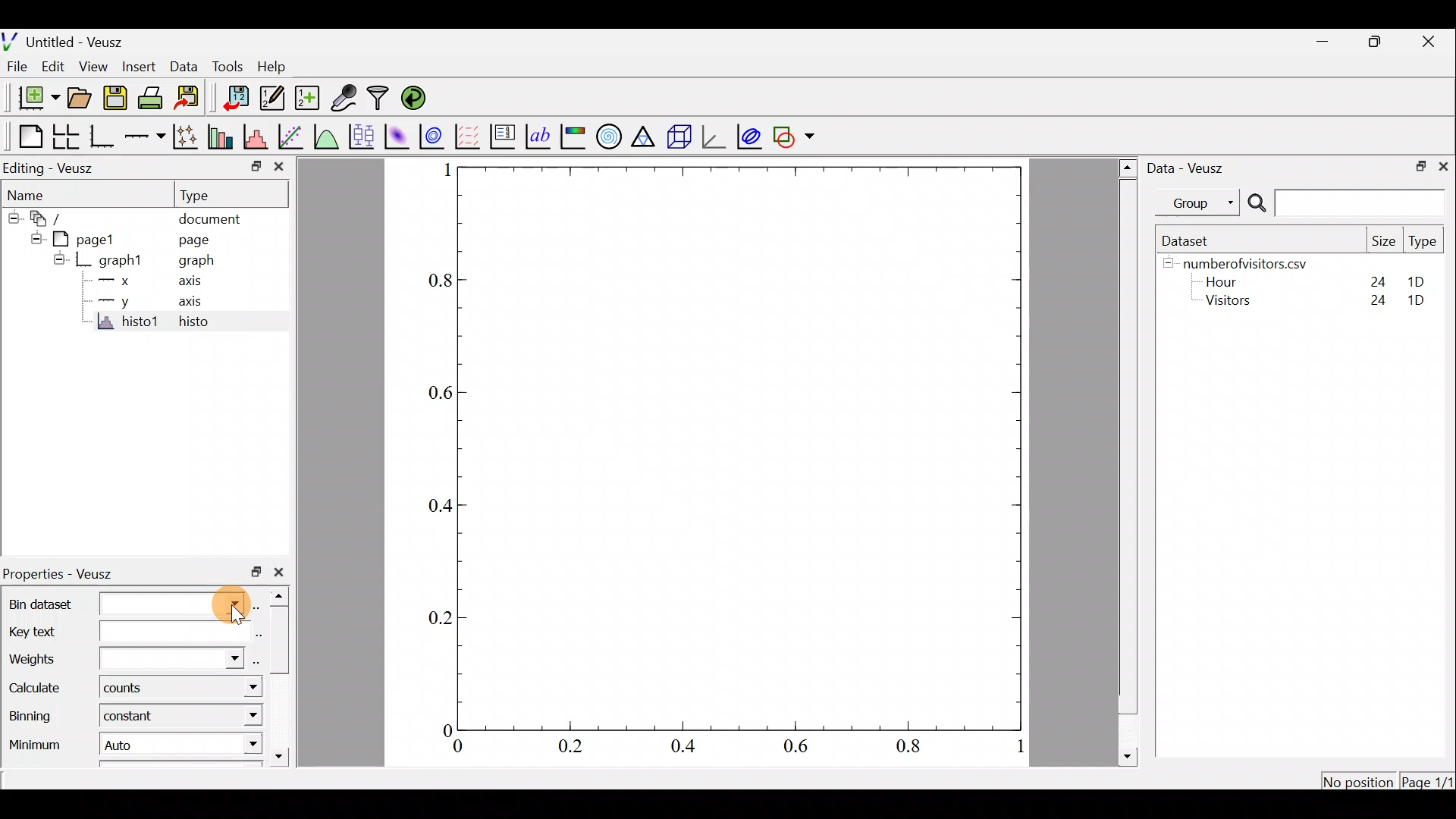  Describe the element at coordinates (136, 690) in the screenshot. I see `counts` at that location.